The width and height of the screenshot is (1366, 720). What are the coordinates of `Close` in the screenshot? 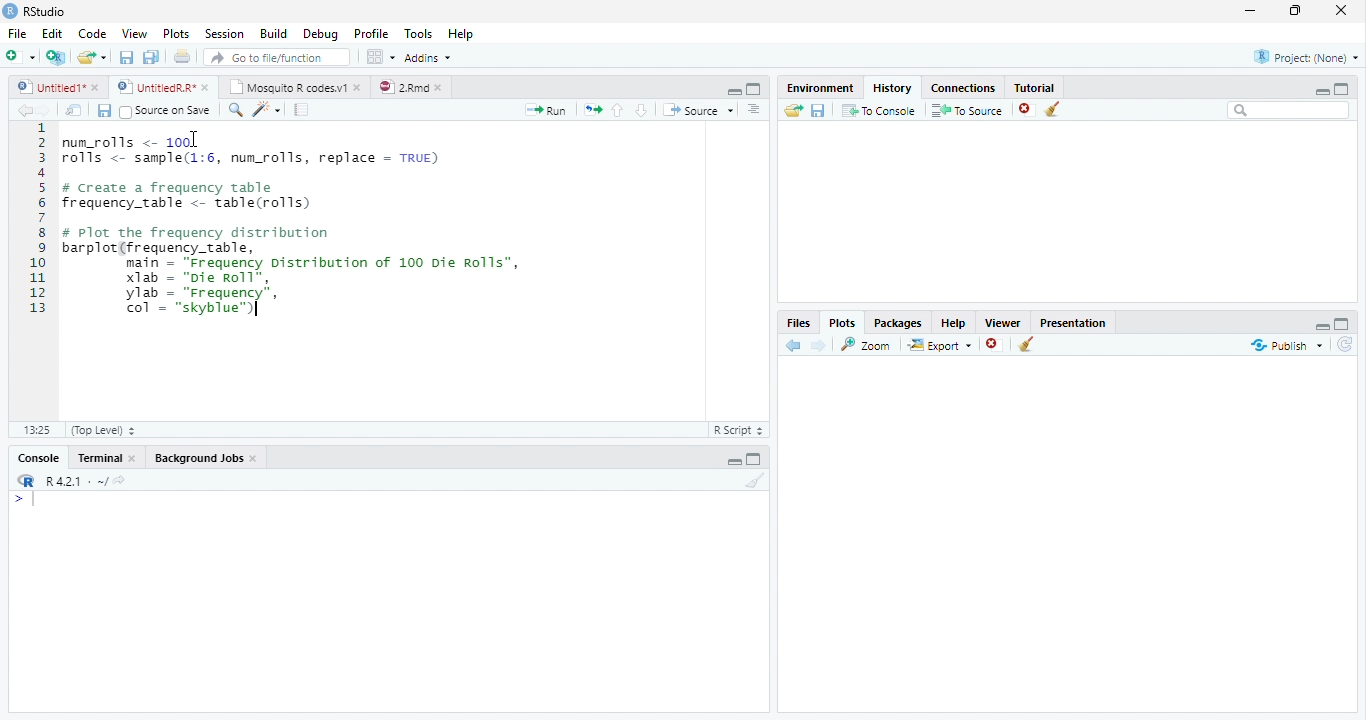 It's located at (1343, 11).